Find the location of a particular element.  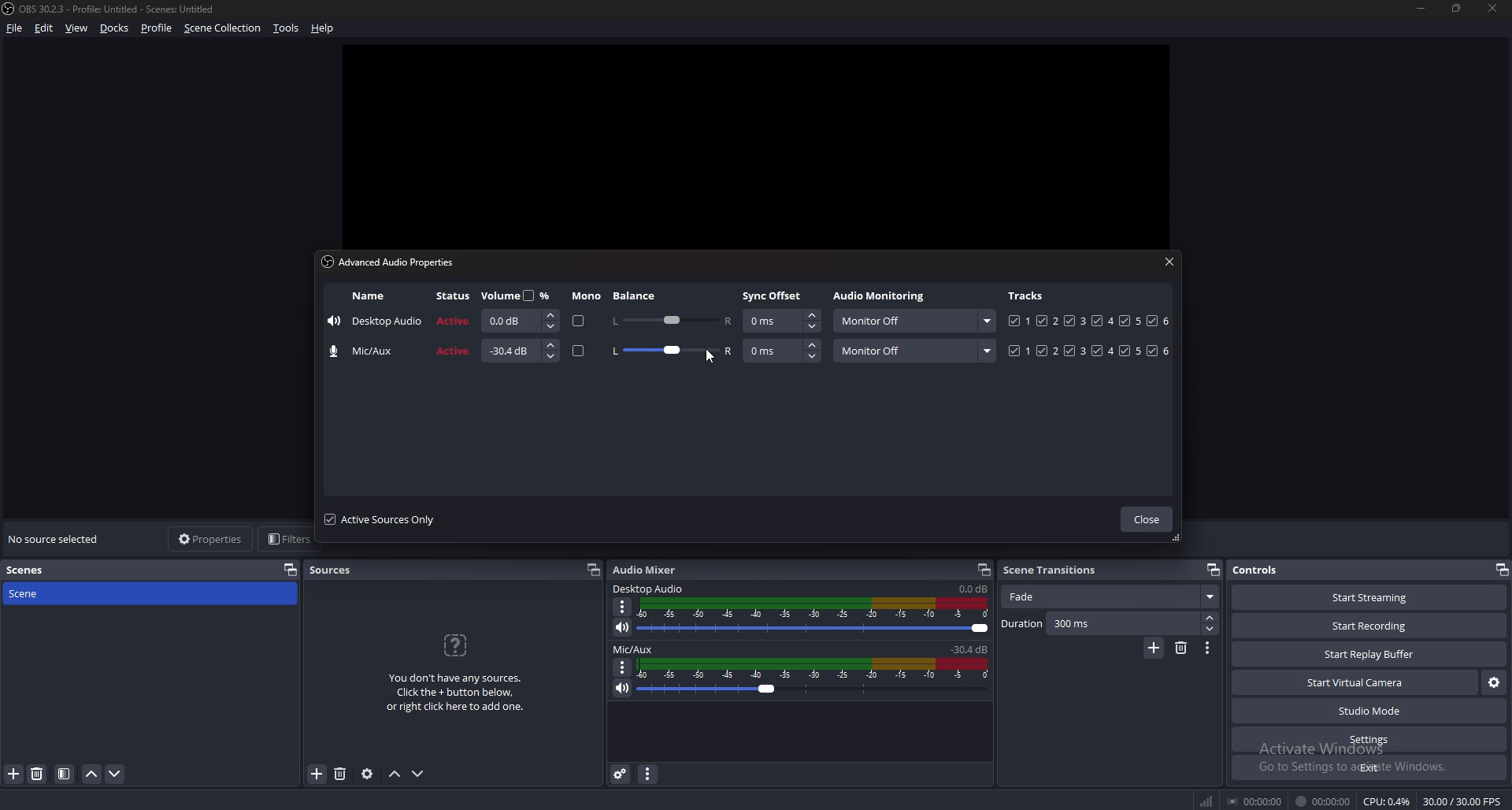

advanced audio properties is located at coordinates (621, 774).